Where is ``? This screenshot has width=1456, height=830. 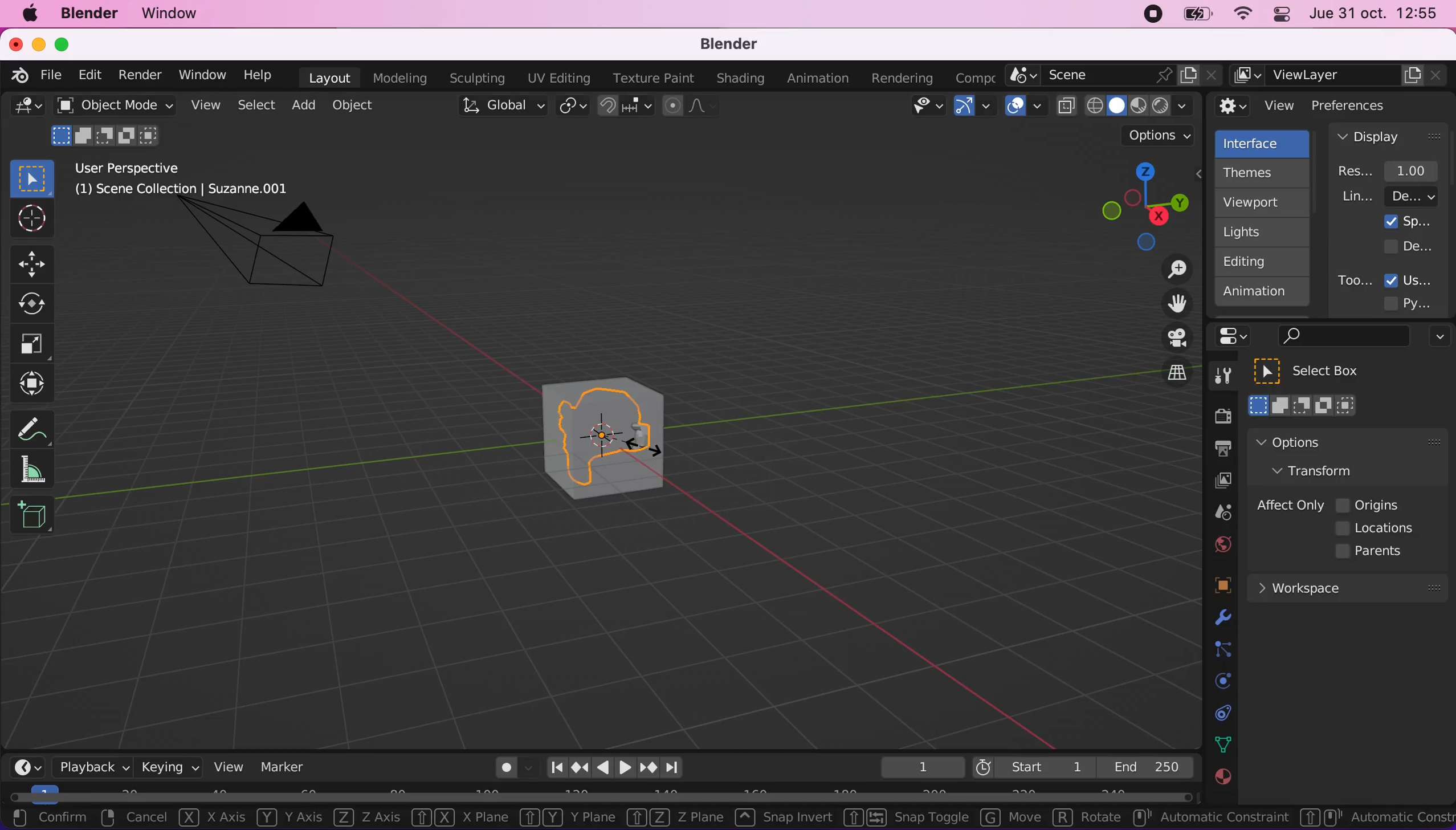  is located at coordinates (30, 219).